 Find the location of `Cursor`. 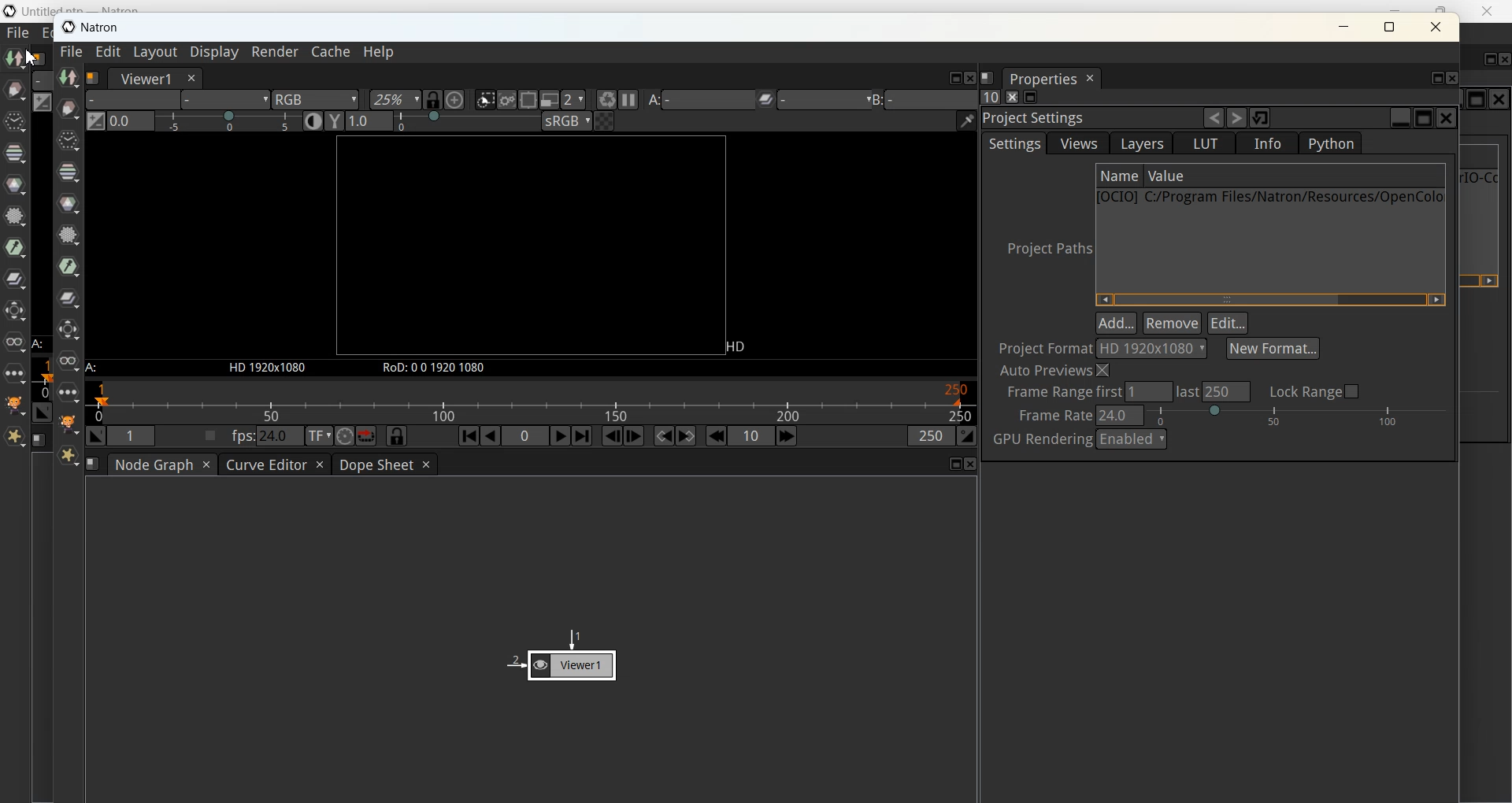

Cursor is located at coordinates (30, 57).